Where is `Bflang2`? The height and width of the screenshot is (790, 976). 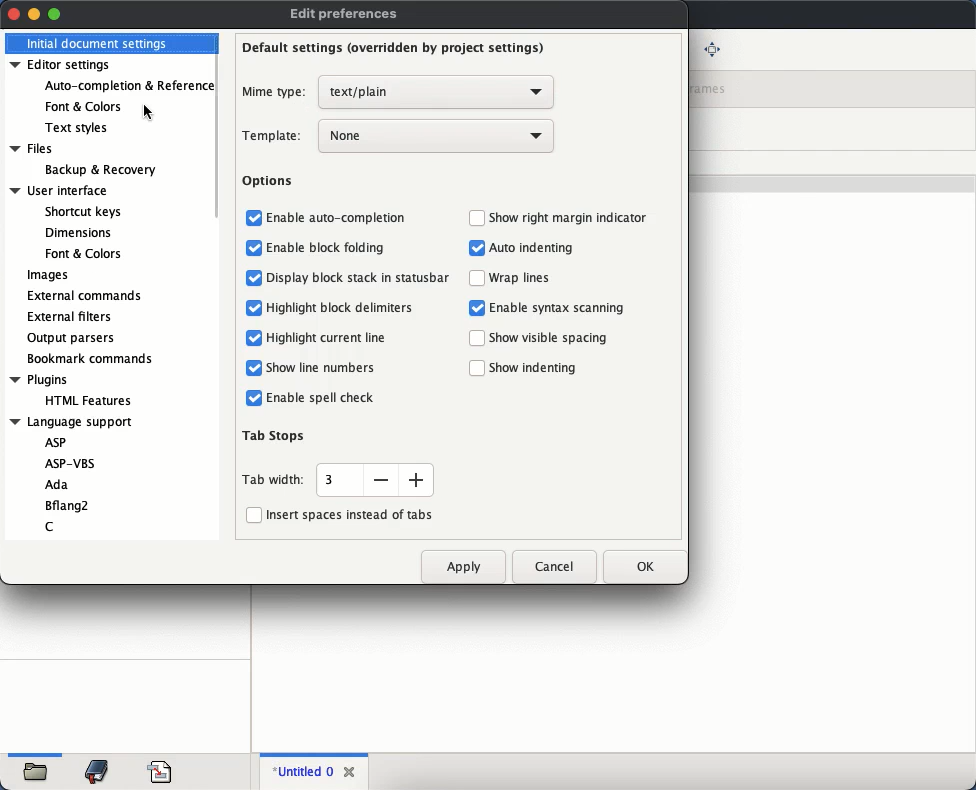 Bflang2 is located at coordinates (69, 505).